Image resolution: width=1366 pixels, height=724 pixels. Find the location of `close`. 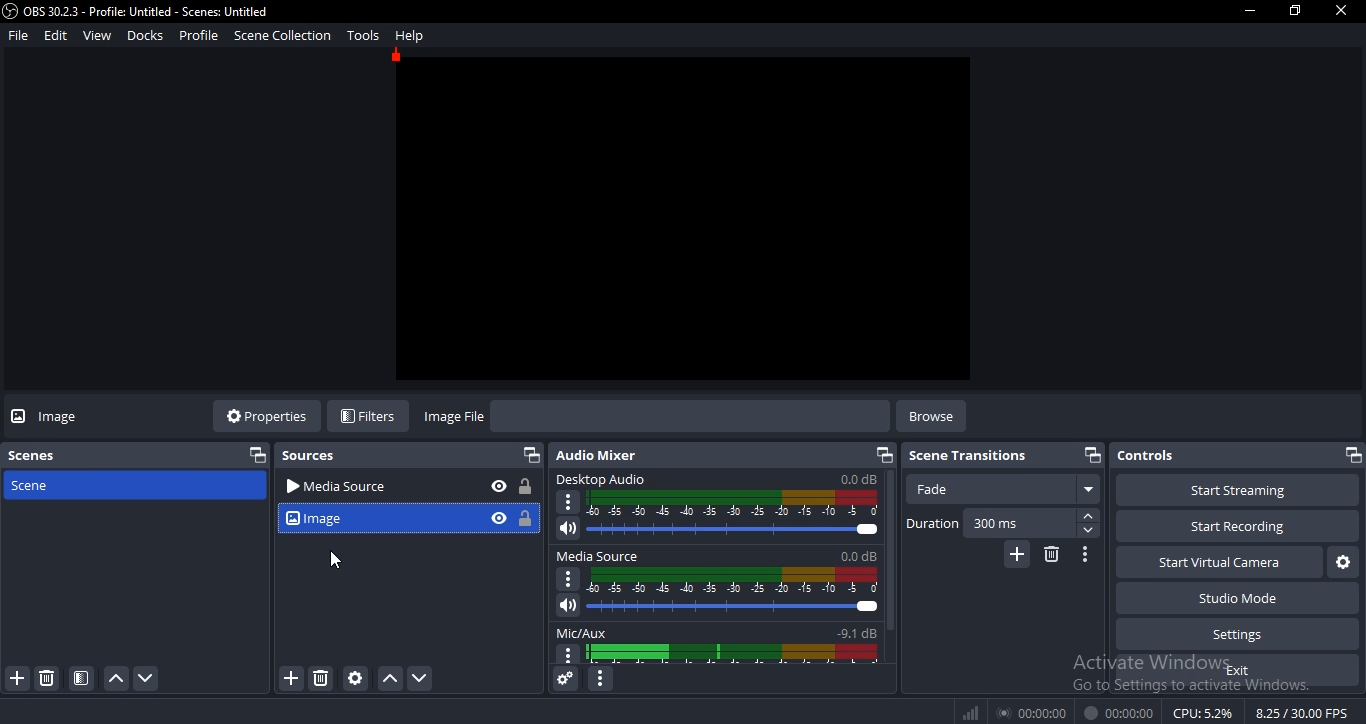

close is located at coordinates (1342, 12).